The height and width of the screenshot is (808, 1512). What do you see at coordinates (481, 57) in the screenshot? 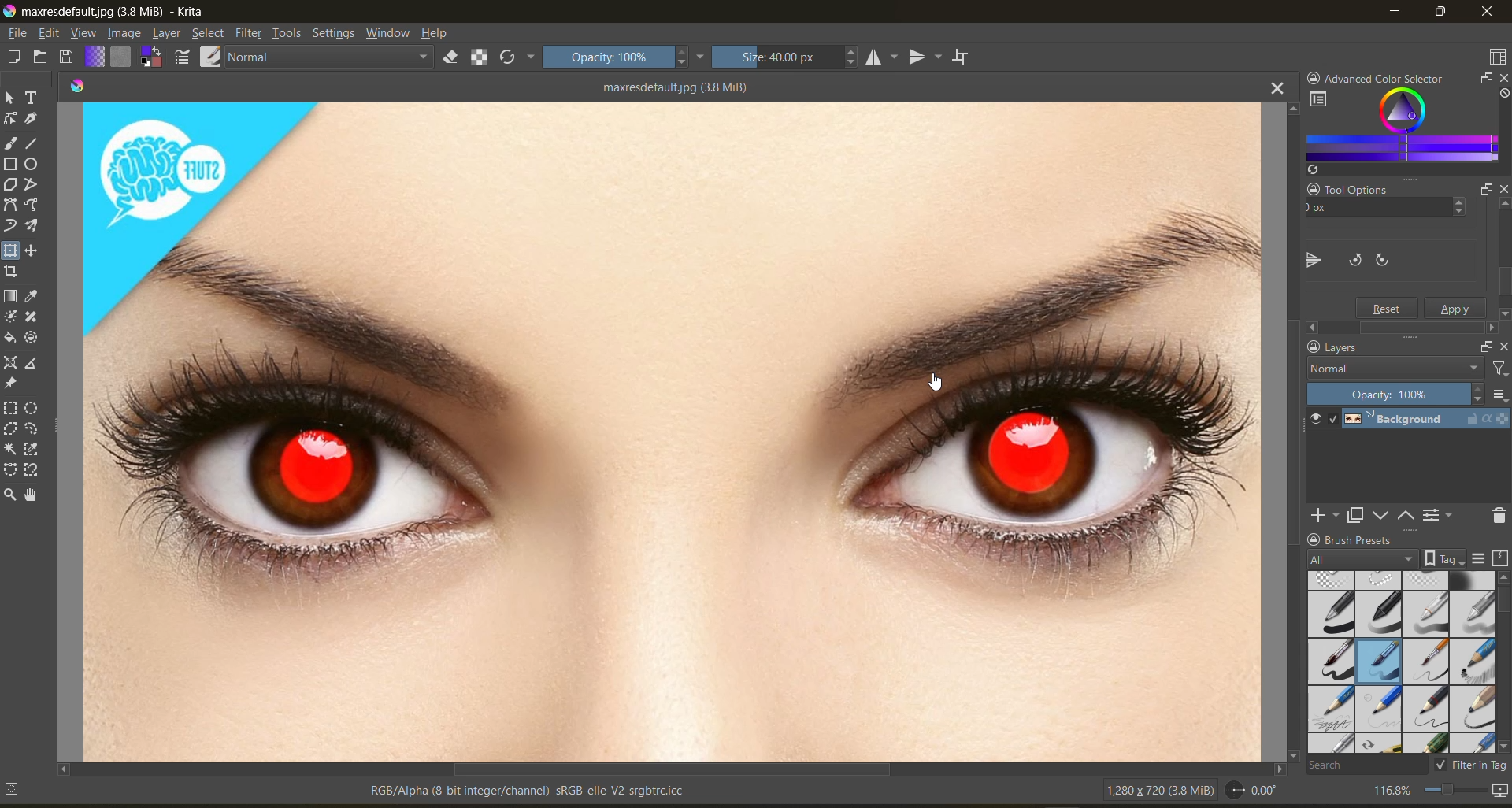
I see `preserve alpha` at bounding box center [481, 57].